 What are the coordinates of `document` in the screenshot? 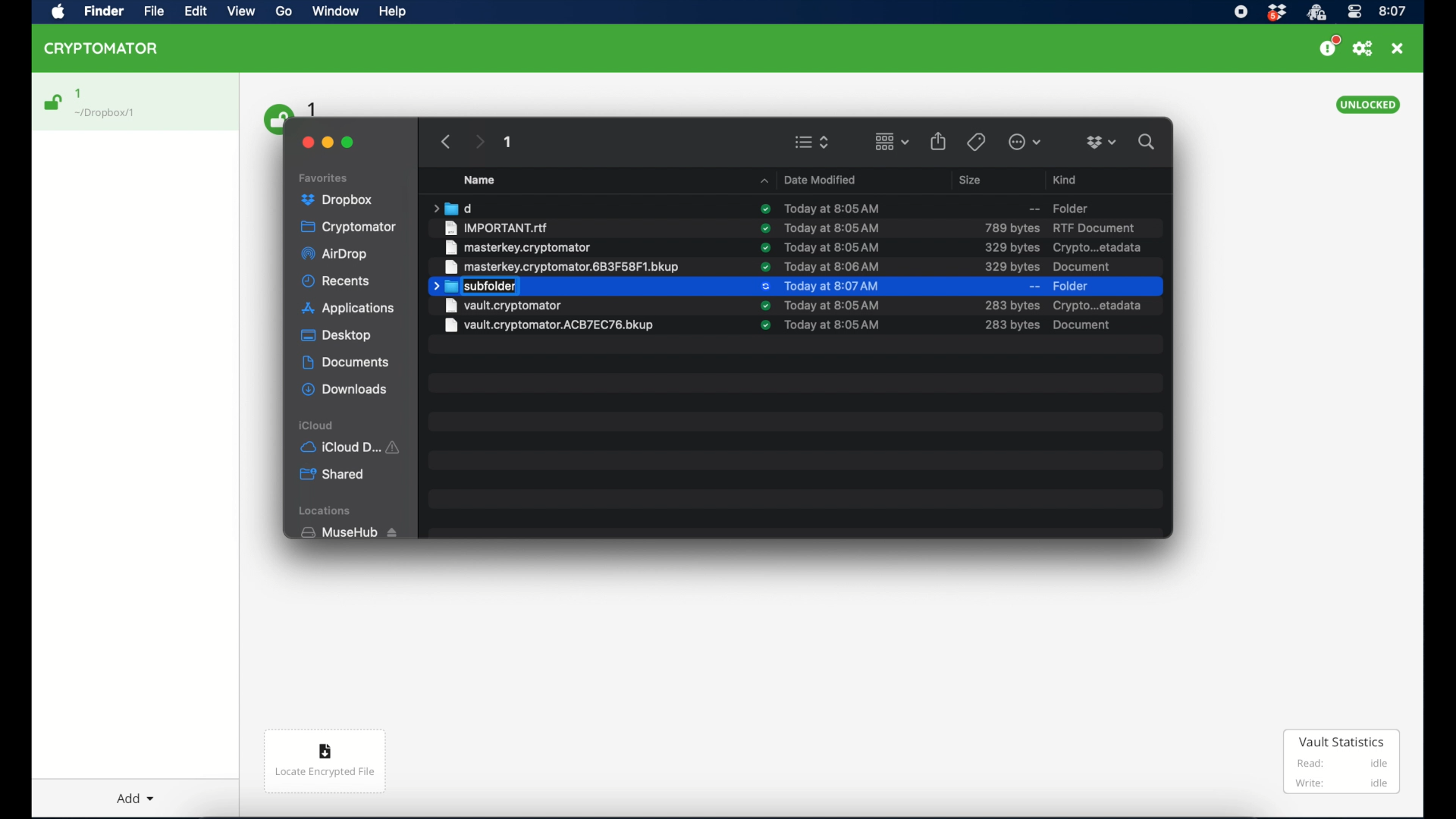 It's located at (1087, 267).